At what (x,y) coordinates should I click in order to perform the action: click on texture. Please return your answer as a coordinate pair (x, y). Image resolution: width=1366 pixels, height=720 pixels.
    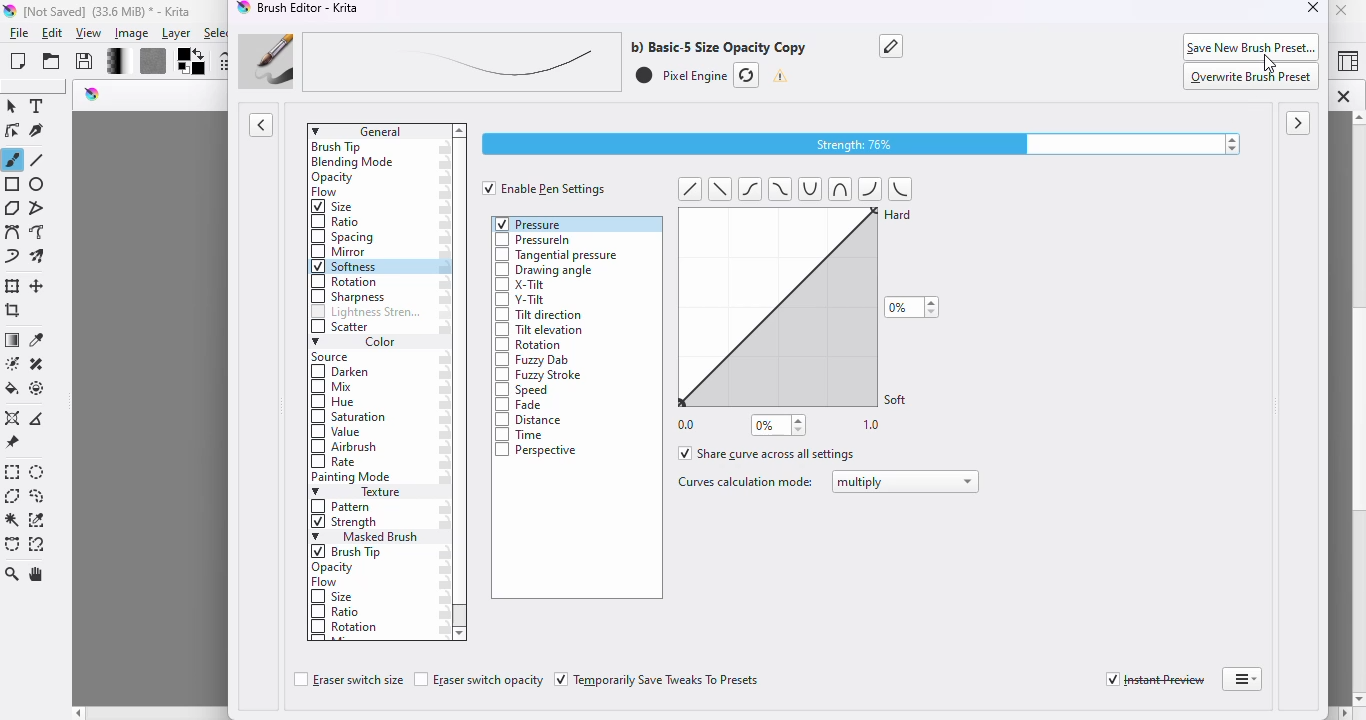
    Looking at the image, I should click on (363, 493).